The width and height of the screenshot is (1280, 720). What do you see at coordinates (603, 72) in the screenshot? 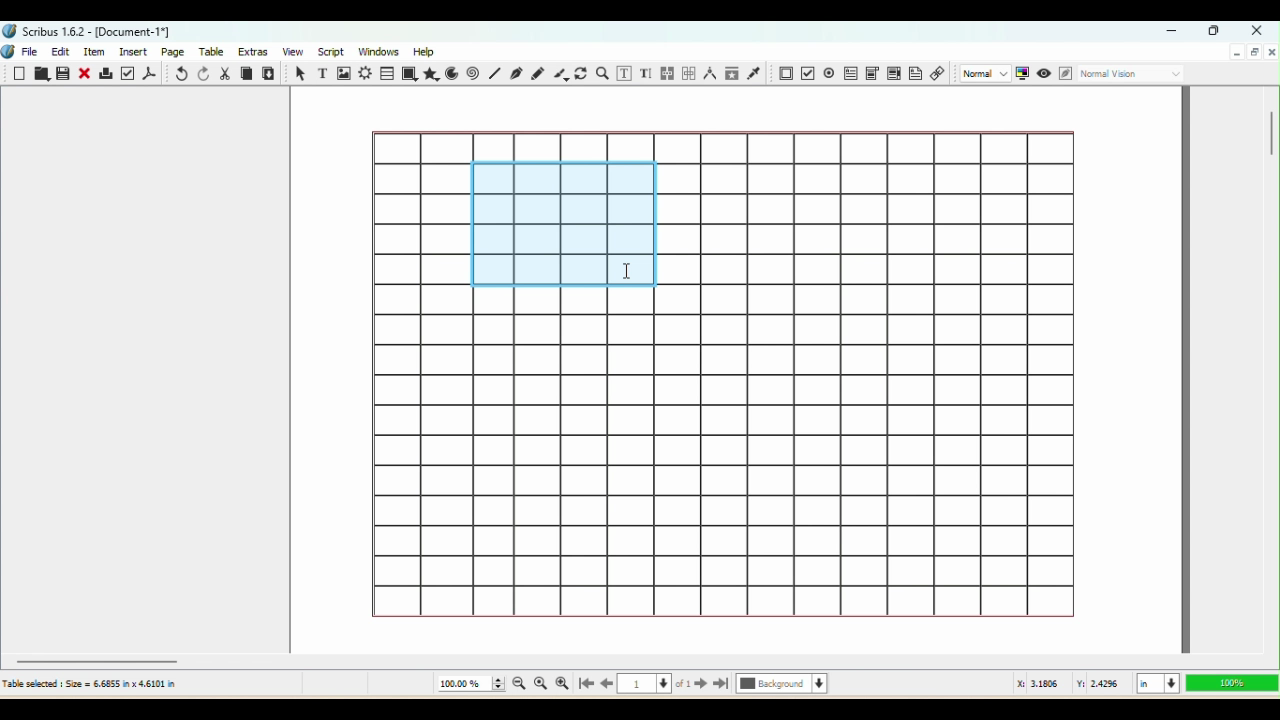
I see `Zoom In or Out` at bounding box center [603, 72].